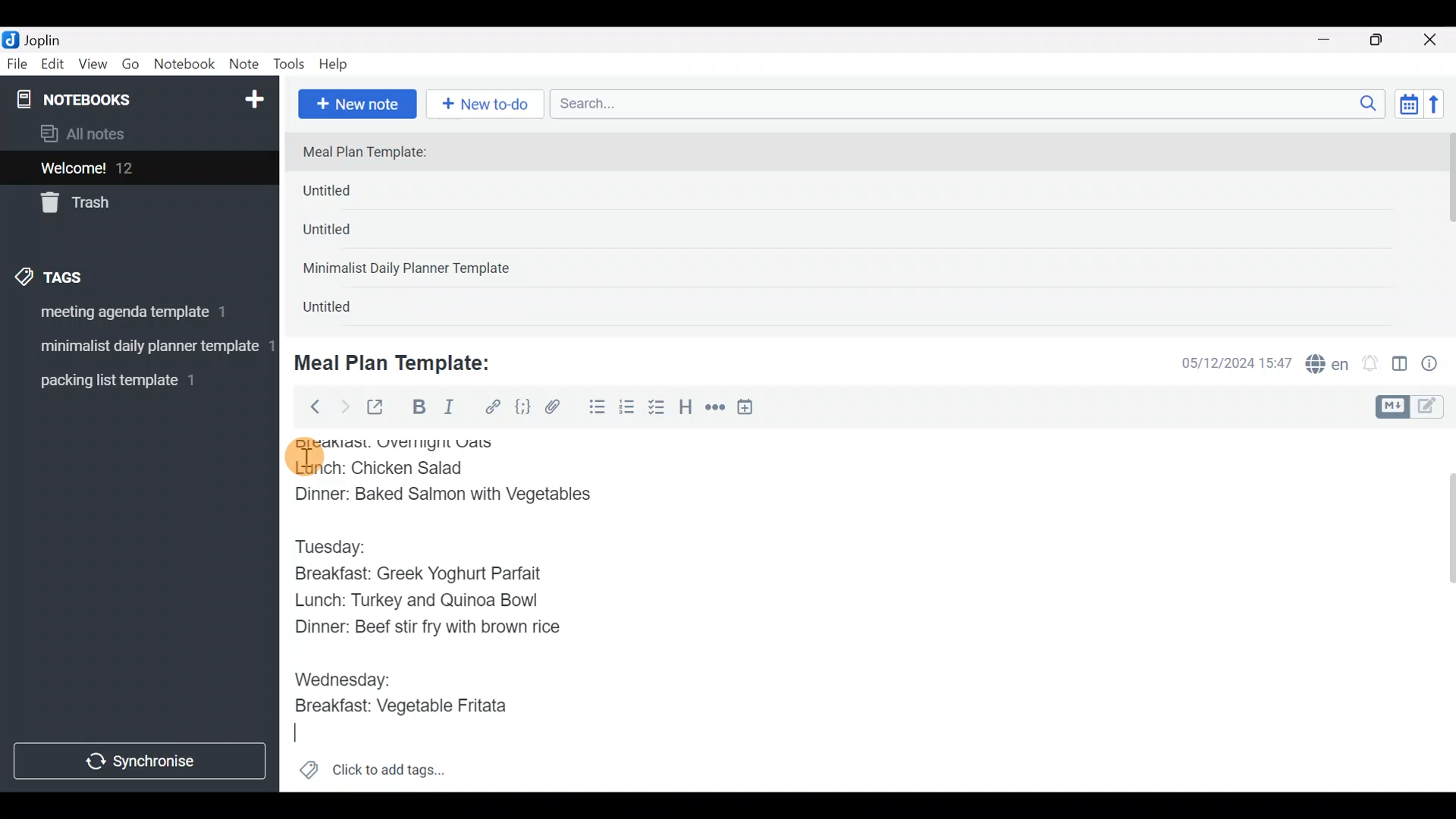 The width and height of the screenshot is (1456, 819). Describe the element at coordinates (384, 467) in the screenshot. I see `Lunch: Chicken Salad` at that location.